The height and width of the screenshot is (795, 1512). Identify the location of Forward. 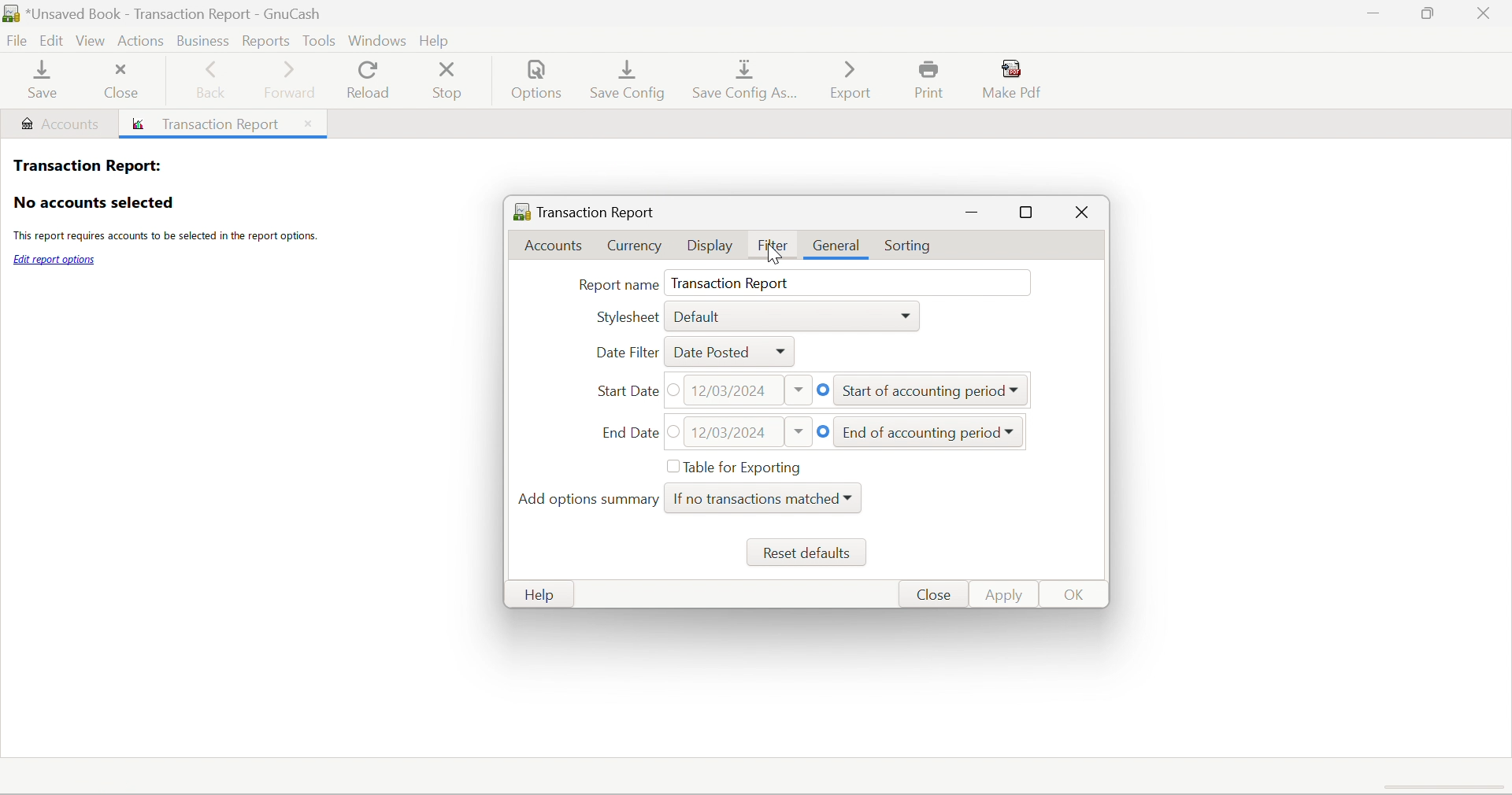
(291, 79).